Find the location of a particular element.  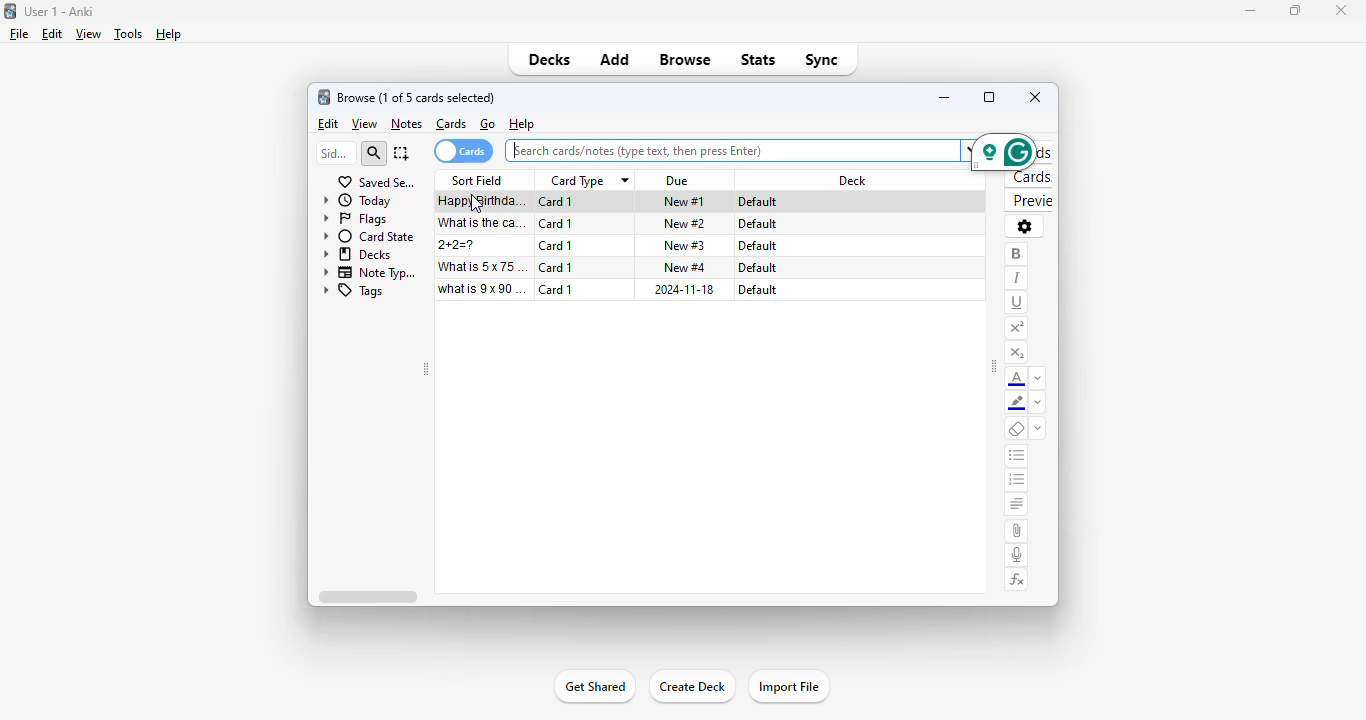

close is located at coordinates (1341, 11).